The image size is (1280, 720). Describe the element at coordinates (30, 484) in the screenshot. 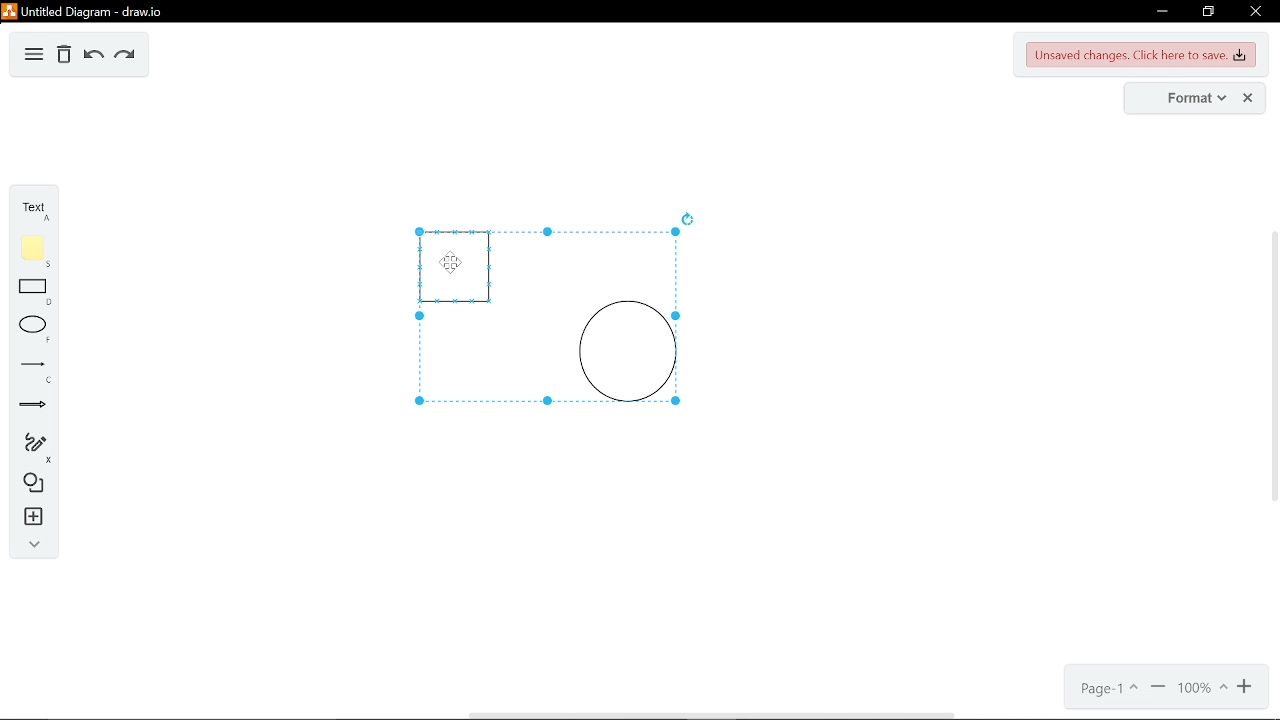

I see `shapes` at that location.